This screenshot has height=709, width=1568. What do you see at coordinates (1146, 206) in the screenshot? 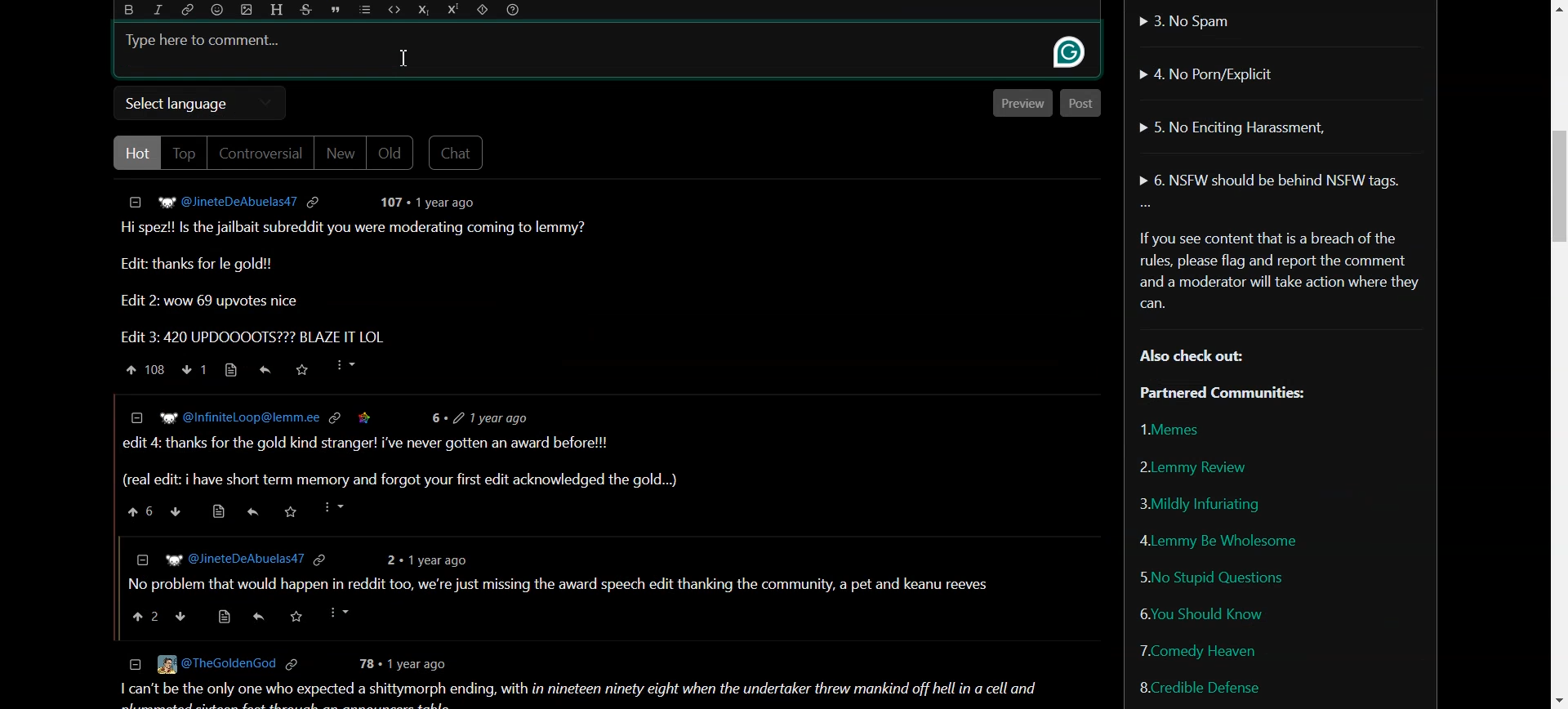
I see `More` at bounding box center [1146, 206].